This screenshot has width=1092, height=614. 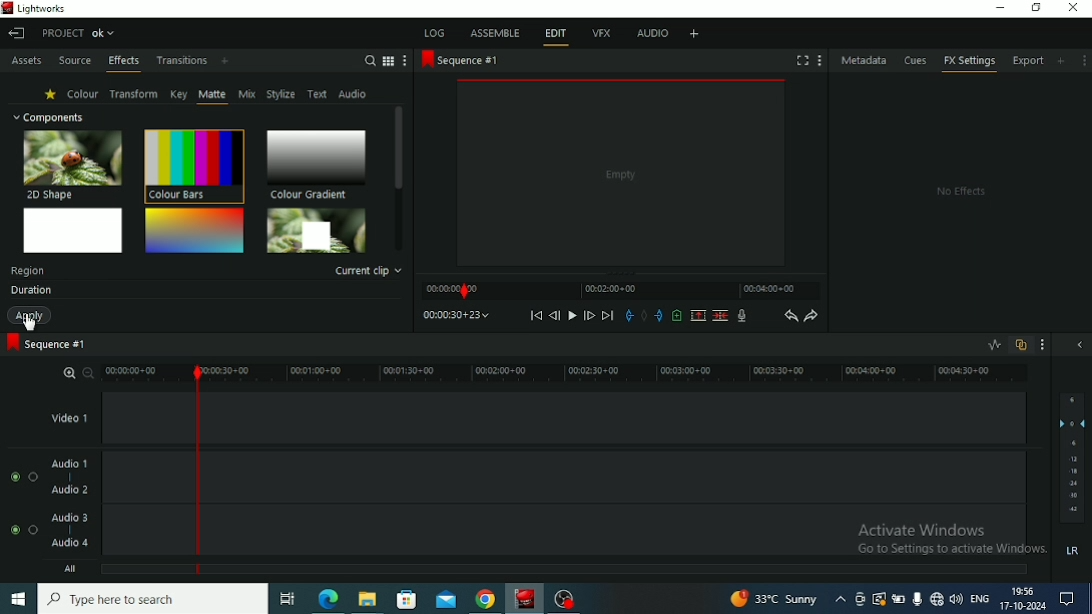 I want to click on Duration, so click(x=30, y=291).